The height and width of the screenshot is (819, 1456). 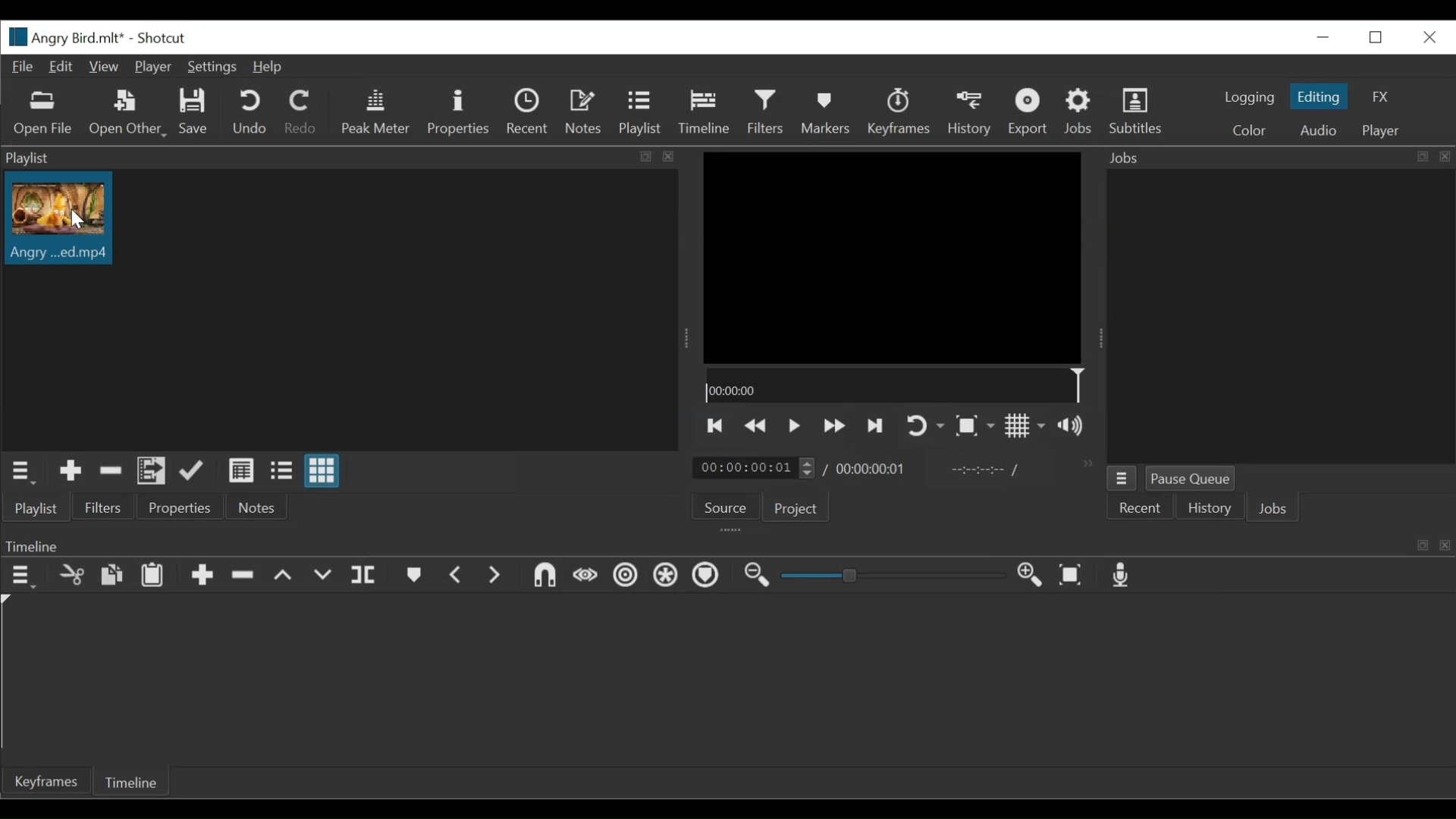 I want to click on File Name, so click(x=64, y=37).